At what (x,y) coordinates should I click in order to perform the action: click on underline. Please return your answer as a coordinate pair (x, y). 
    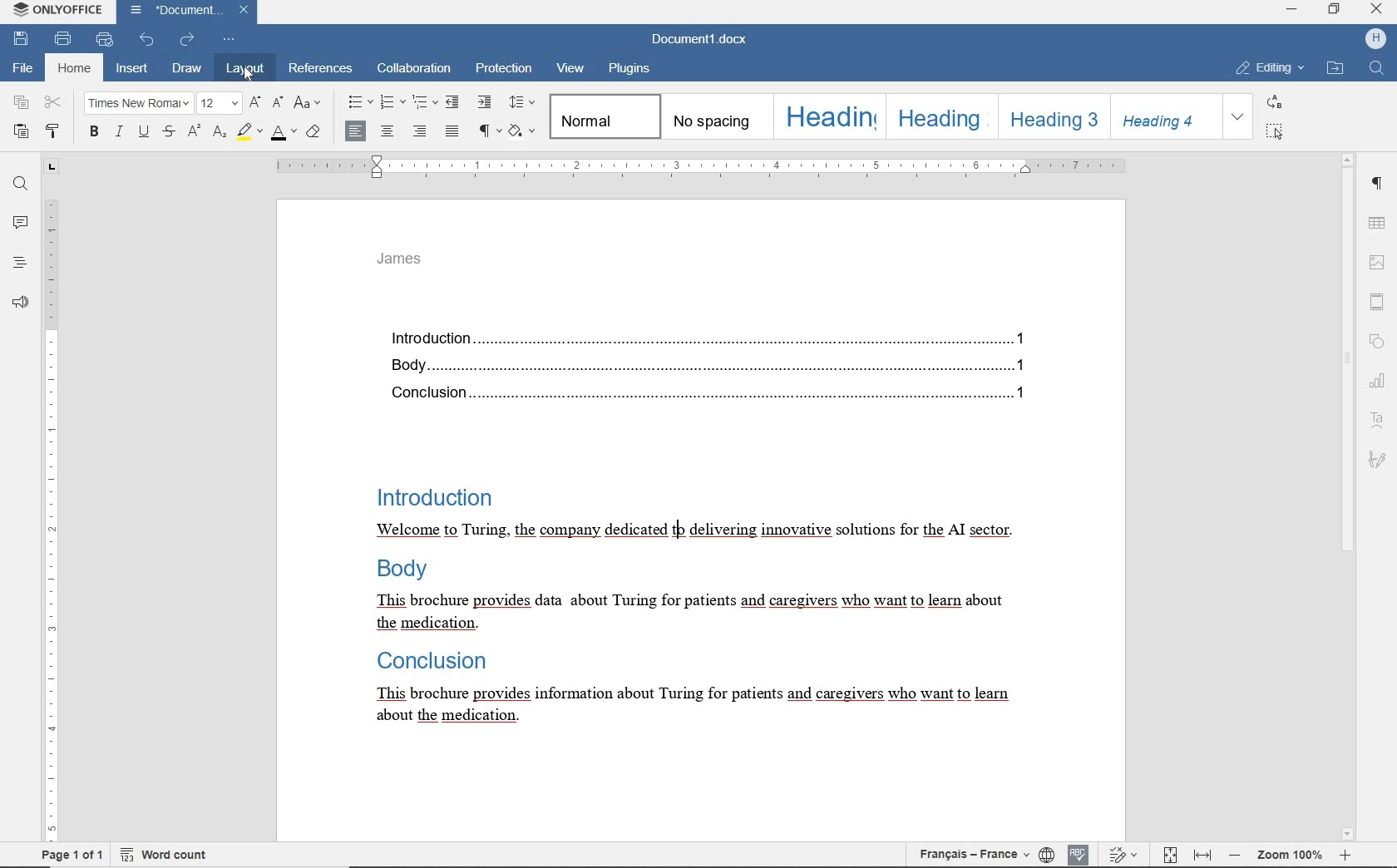
    Looking at the image, I should click on (144, 131).